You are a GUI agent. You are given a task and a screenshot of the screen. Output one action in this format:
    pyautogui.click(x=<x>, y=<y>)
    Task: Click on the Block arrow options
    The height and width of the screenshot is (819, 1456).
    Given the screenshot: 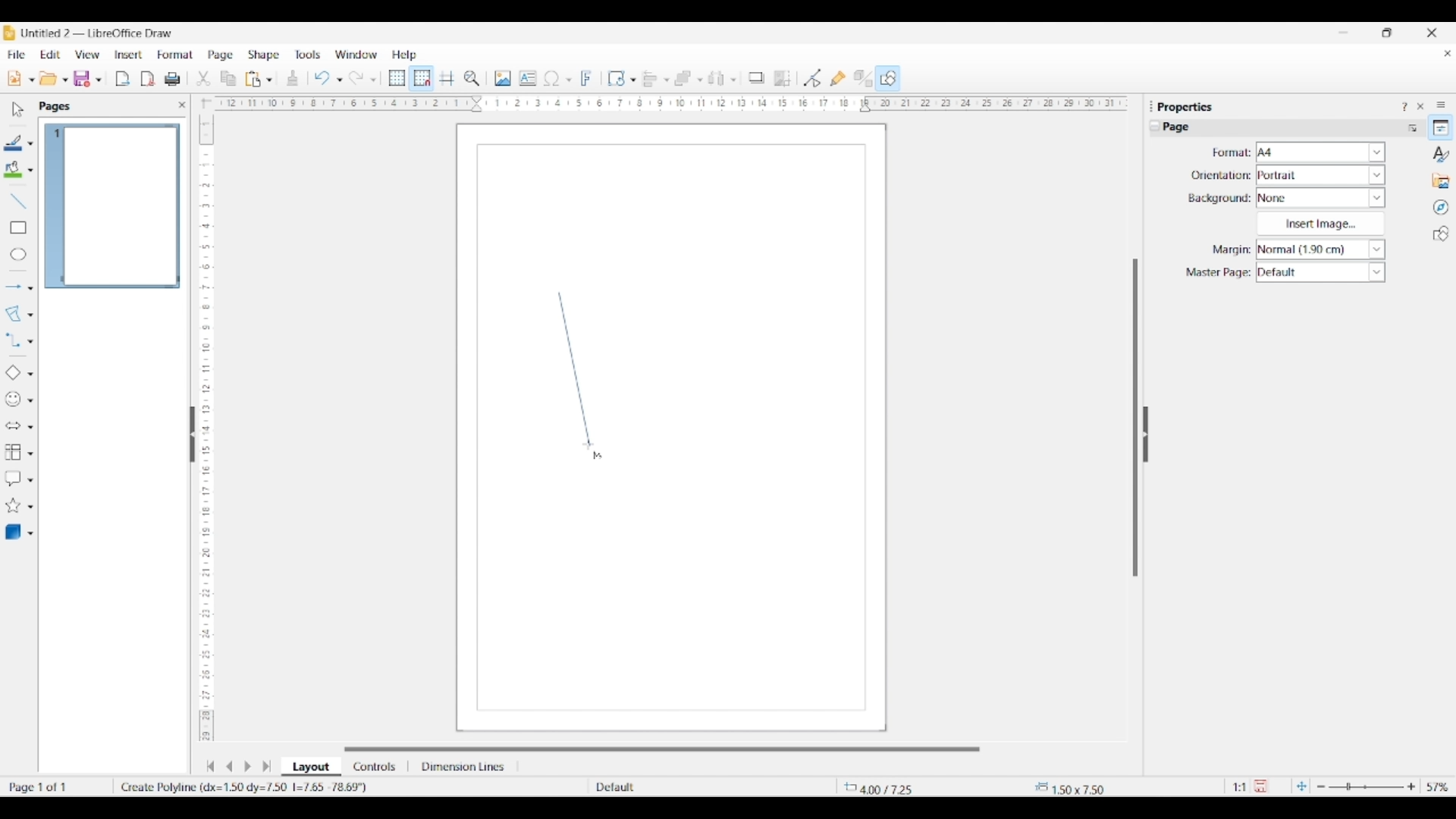 What is the action you would take?
    pyautogui.click(x=30, y=427)
    